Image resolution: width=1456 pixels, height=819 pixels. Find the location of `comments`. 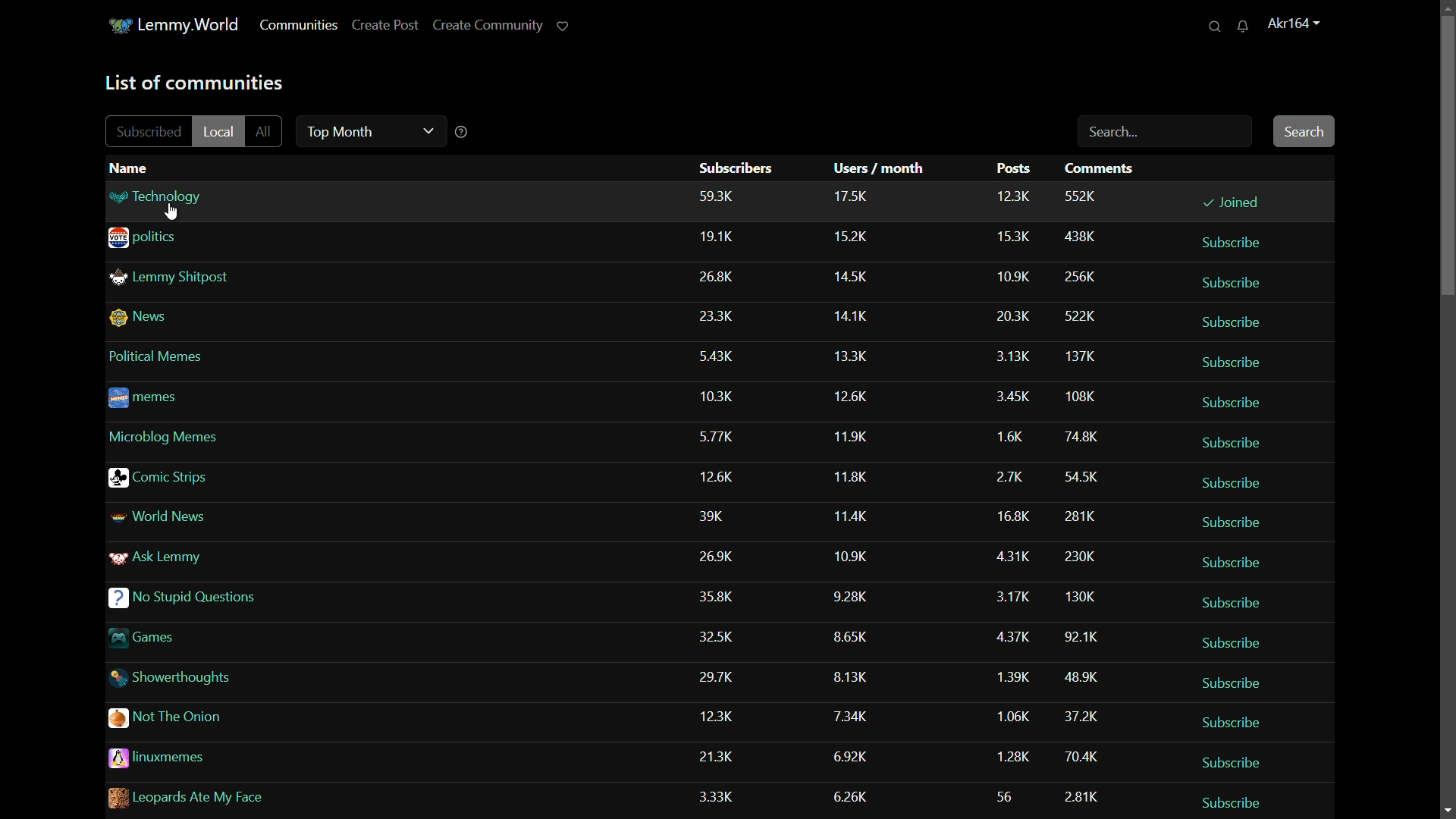

comments is located at coordinates (1088, 500).